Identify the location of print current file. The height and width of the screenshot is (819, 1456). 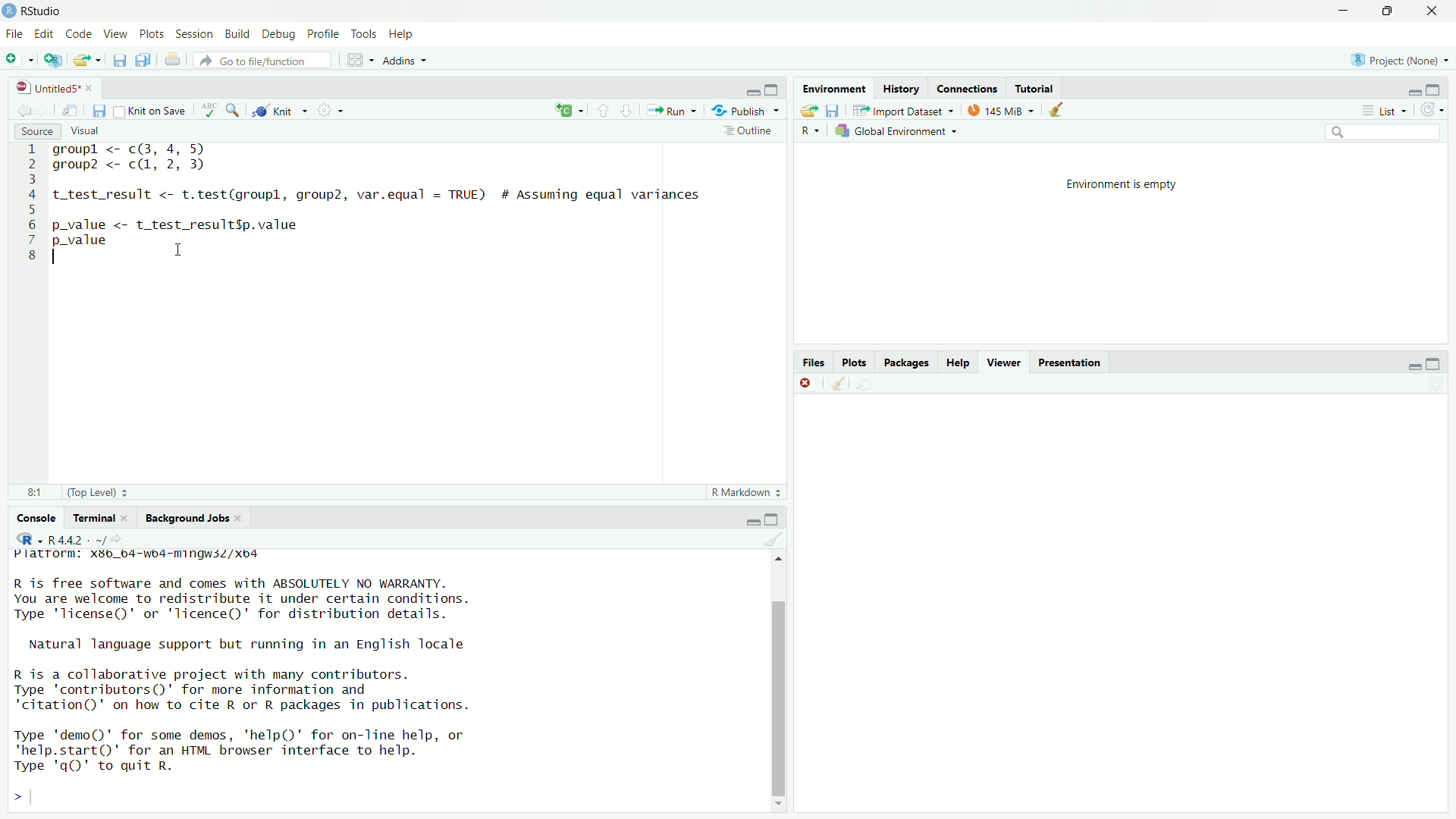
(171, 60).